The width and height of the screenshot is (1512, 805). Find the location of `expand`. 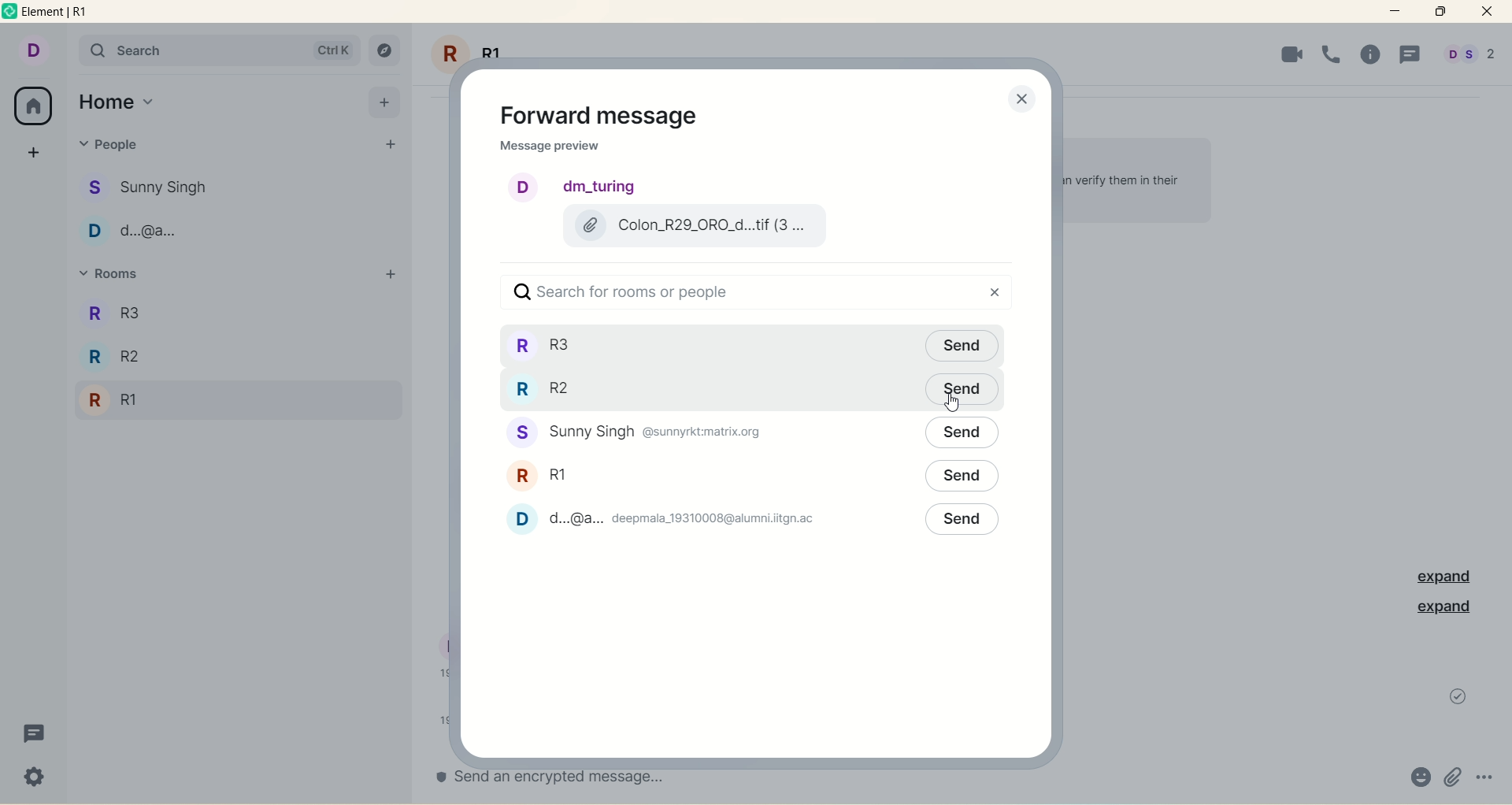

expand is located at coordinates (1438, 577).